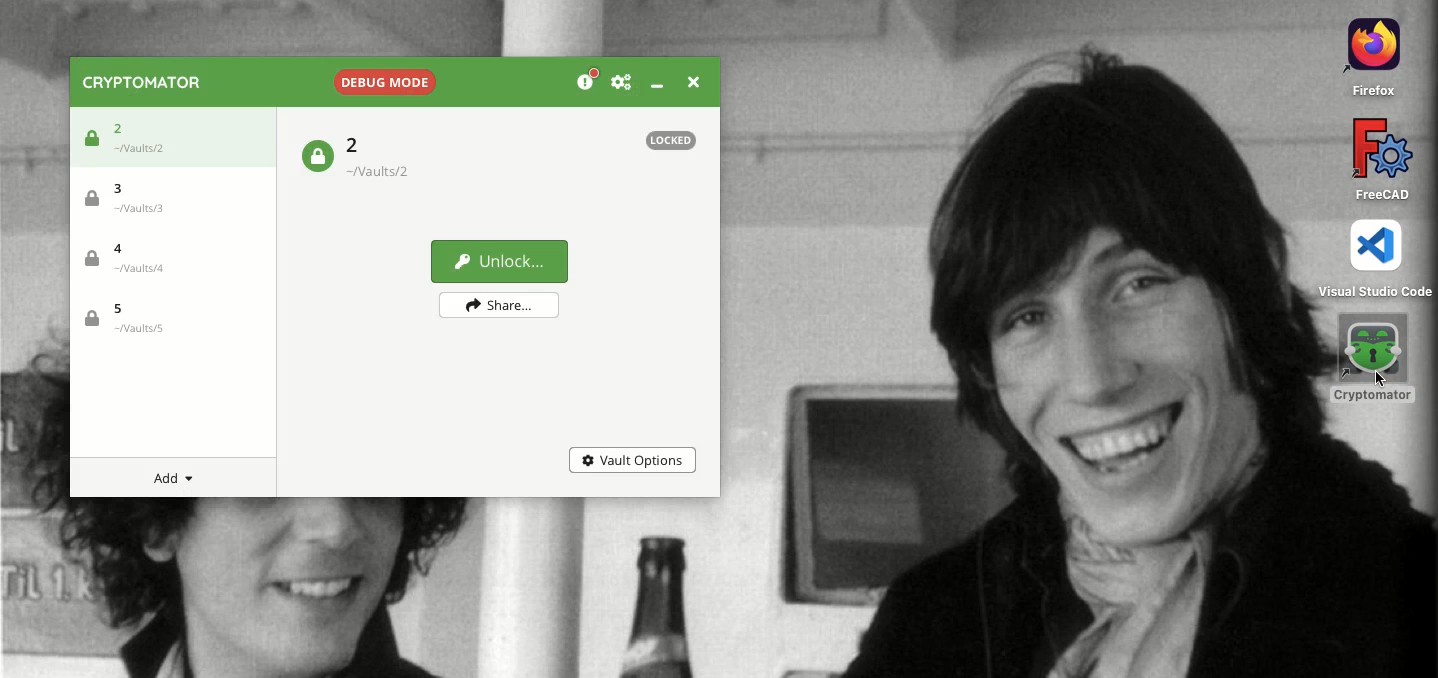 The height and width of the screenshot is (678, 1438). I want to click on Locked, so click(316, 158).